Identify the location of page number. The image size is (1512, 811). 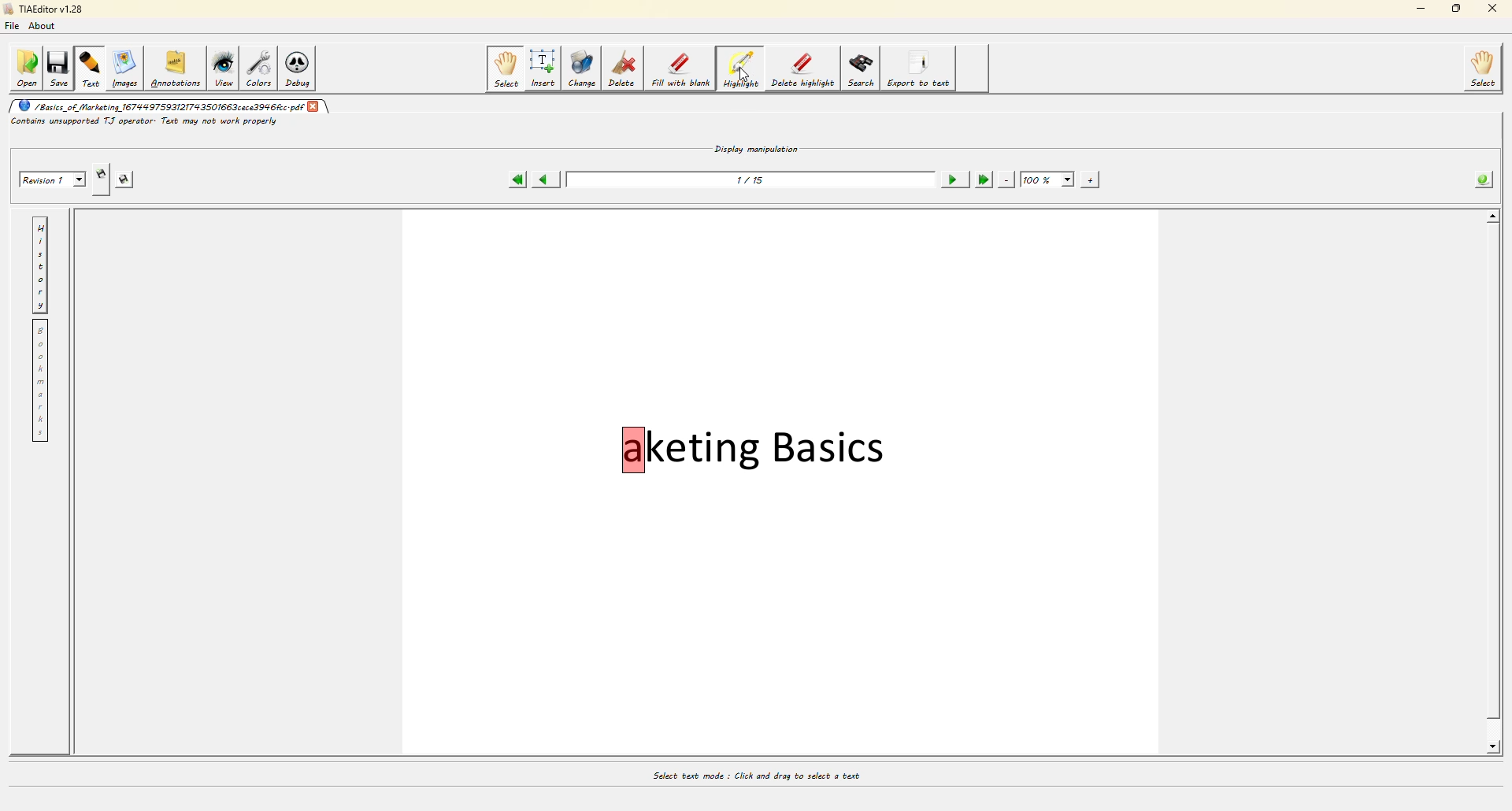
(748, 183).